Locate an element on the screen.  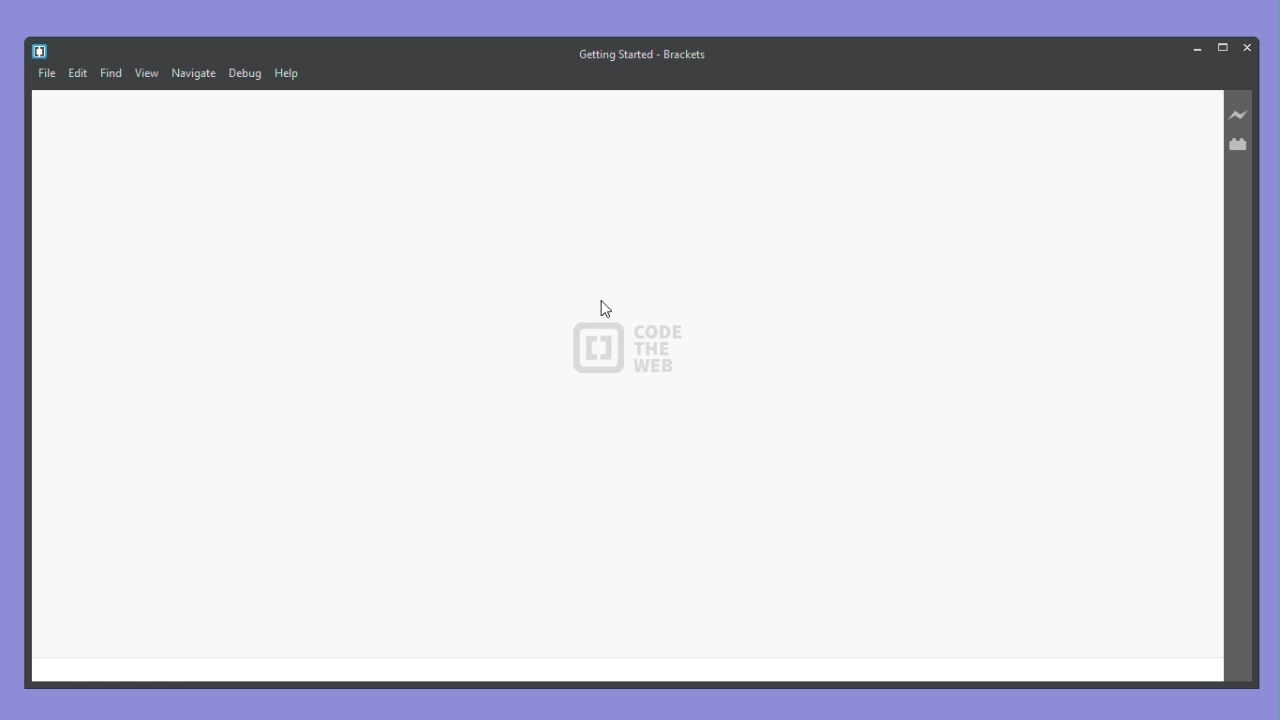
Extension manager is located at coordinates (1241, 142).